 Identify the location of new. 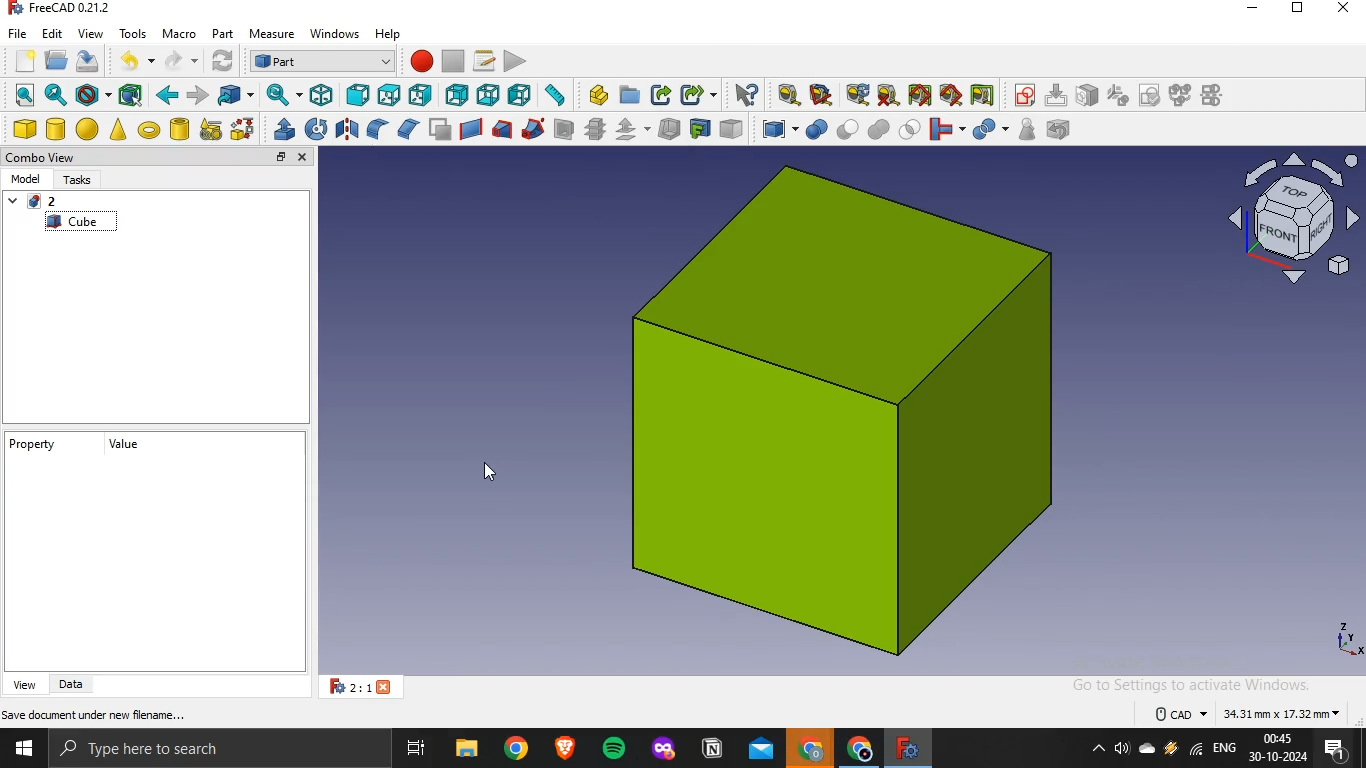
(25, 61).